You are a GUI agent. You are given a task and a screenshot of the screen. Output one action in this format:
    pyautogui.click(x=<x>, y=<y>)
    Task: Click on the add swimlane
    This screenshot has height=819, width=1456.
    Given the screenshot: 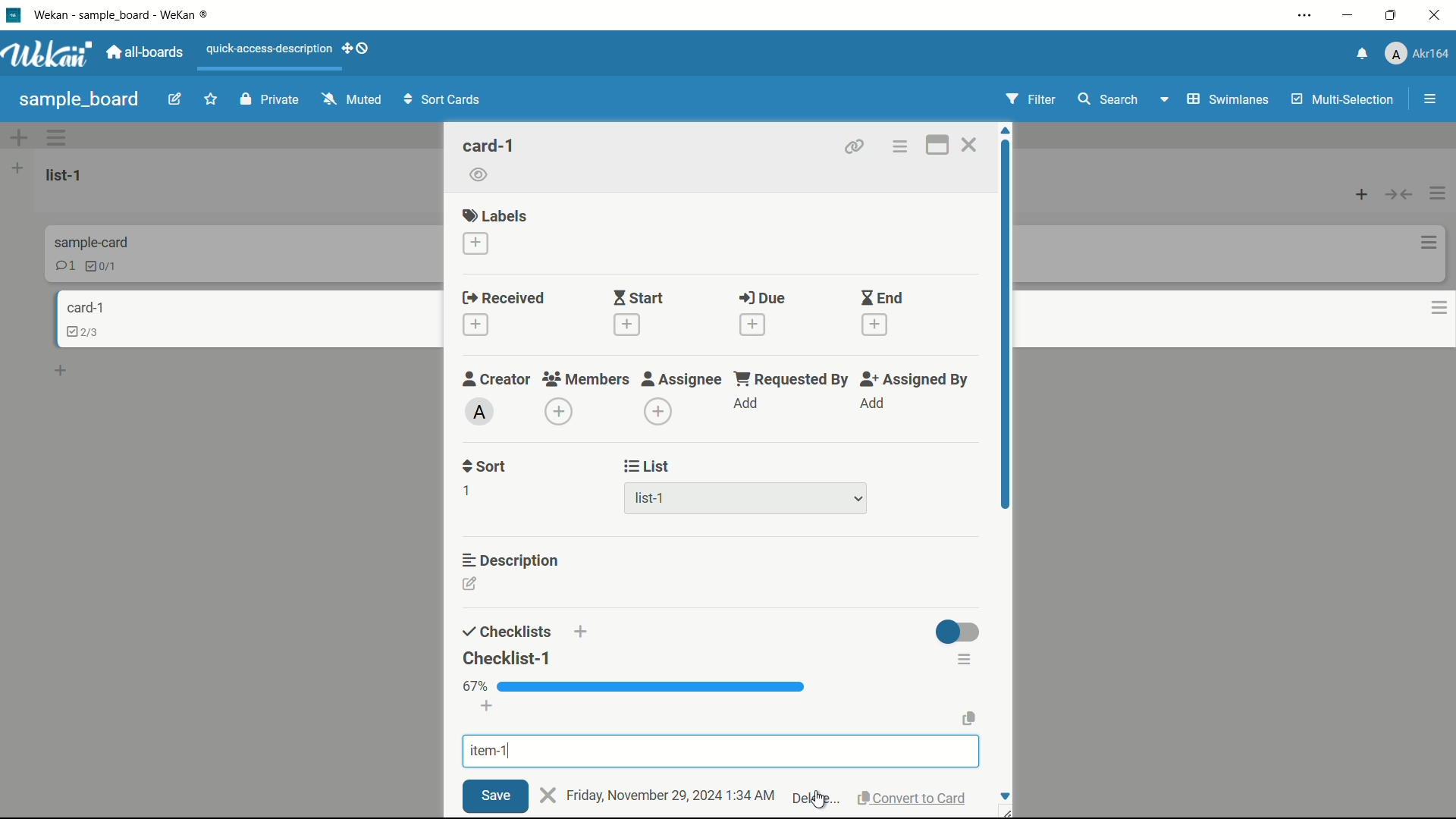 What is the action you would take?
    pyautogui.click(x=20, y=136)
    